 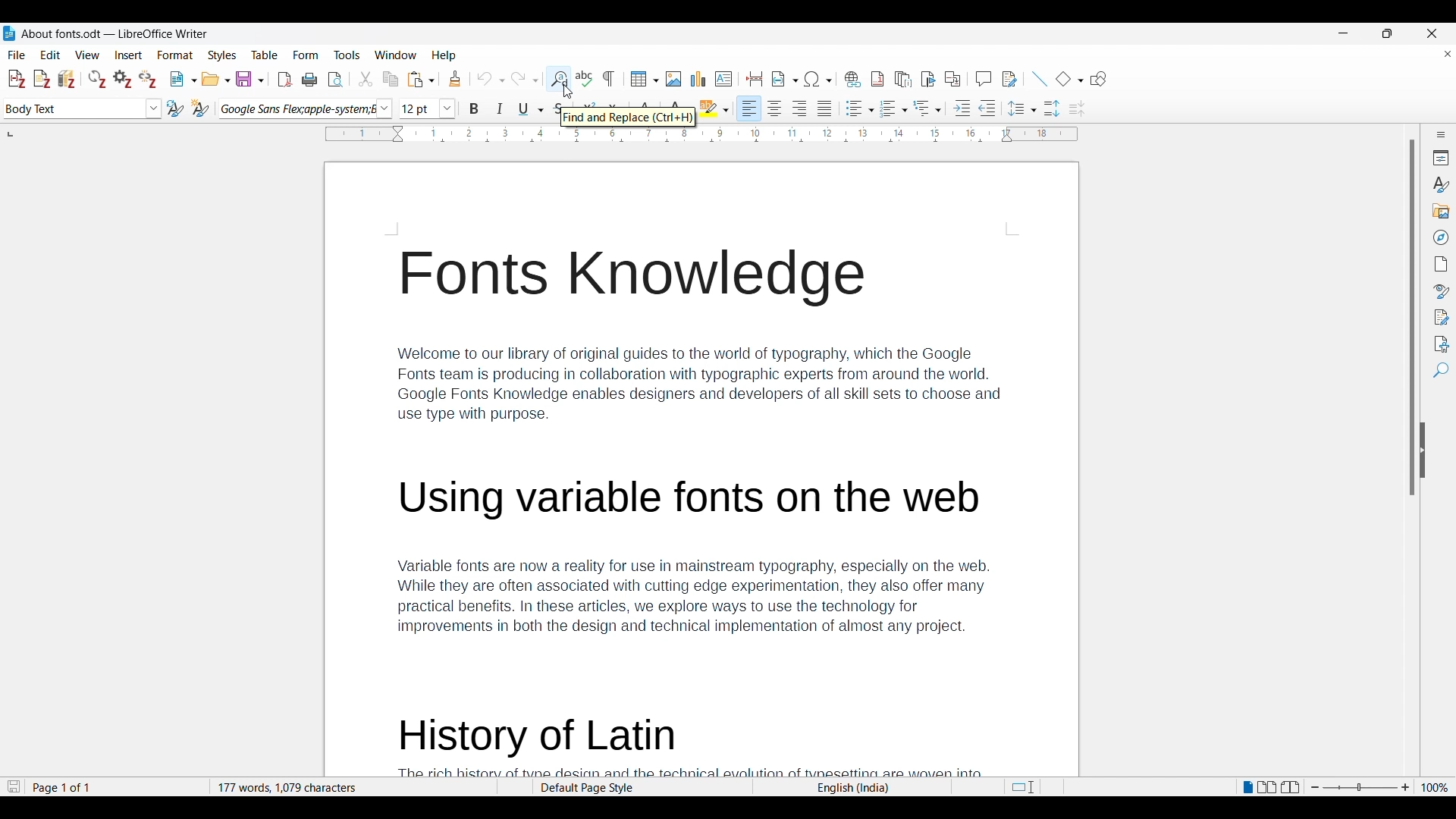 What do you see at coordinates (309, 79) in the screenshot?
I see `Print` at bounding box center [309, 79].